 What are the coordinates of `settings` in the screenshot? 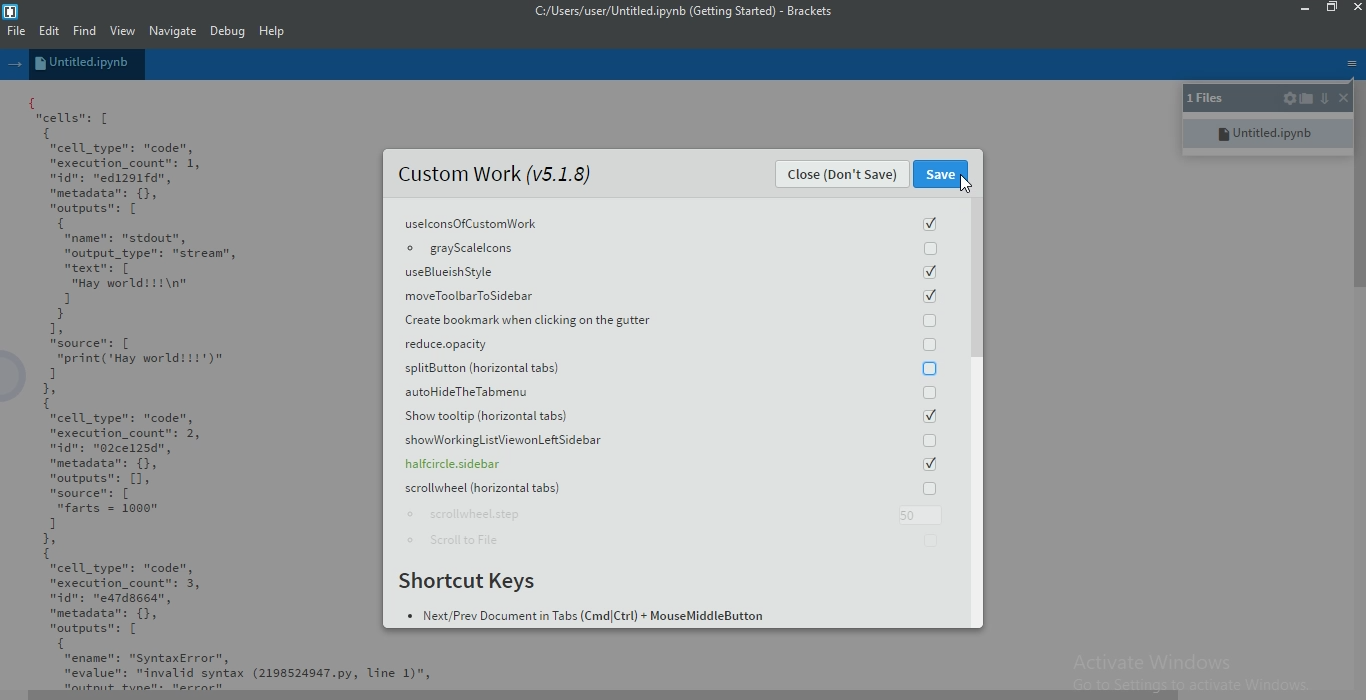 It's located at (1288, 99).